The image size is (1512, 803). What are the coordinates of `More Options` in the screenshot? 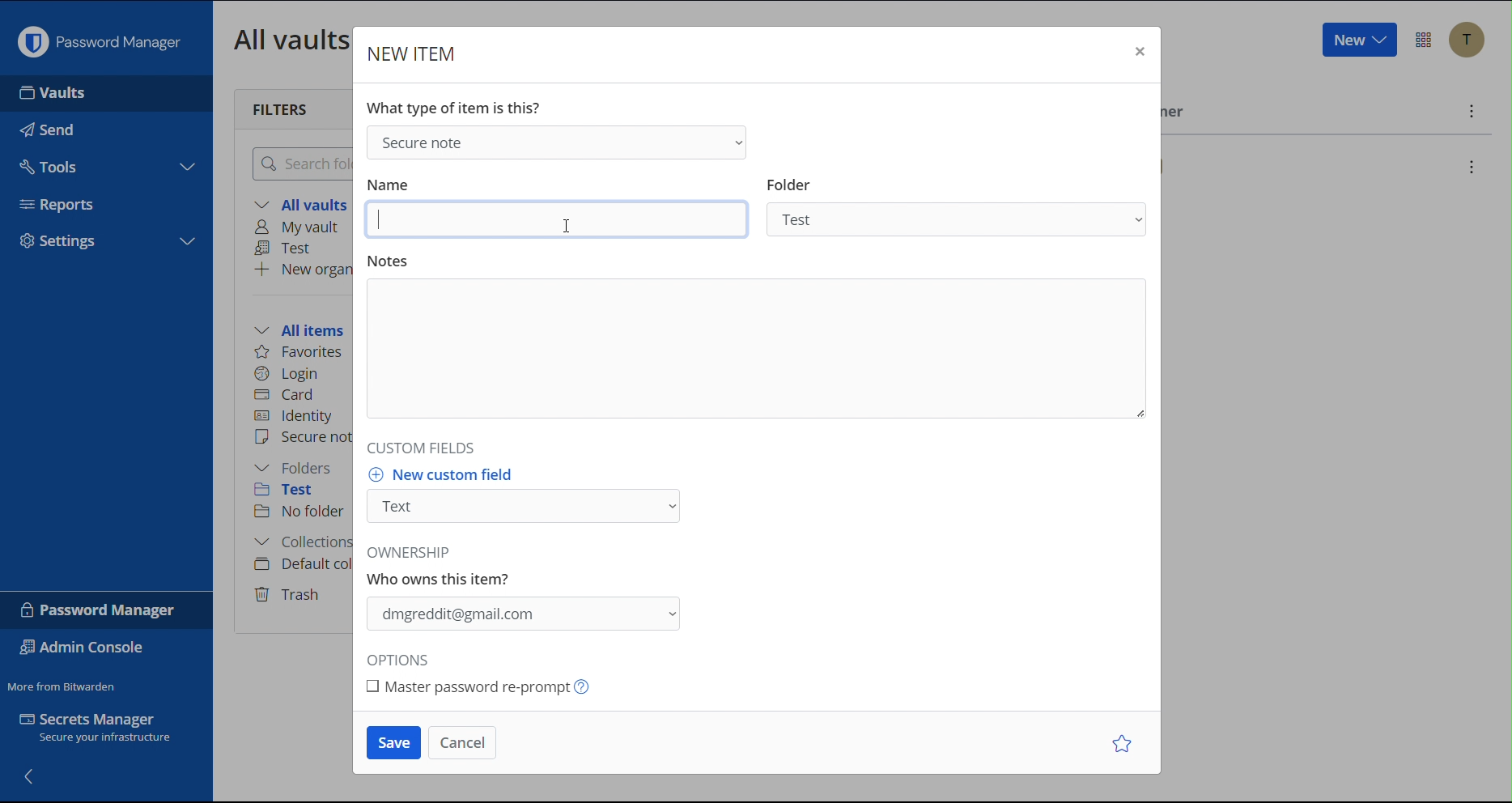 It's located at (1424, 40).